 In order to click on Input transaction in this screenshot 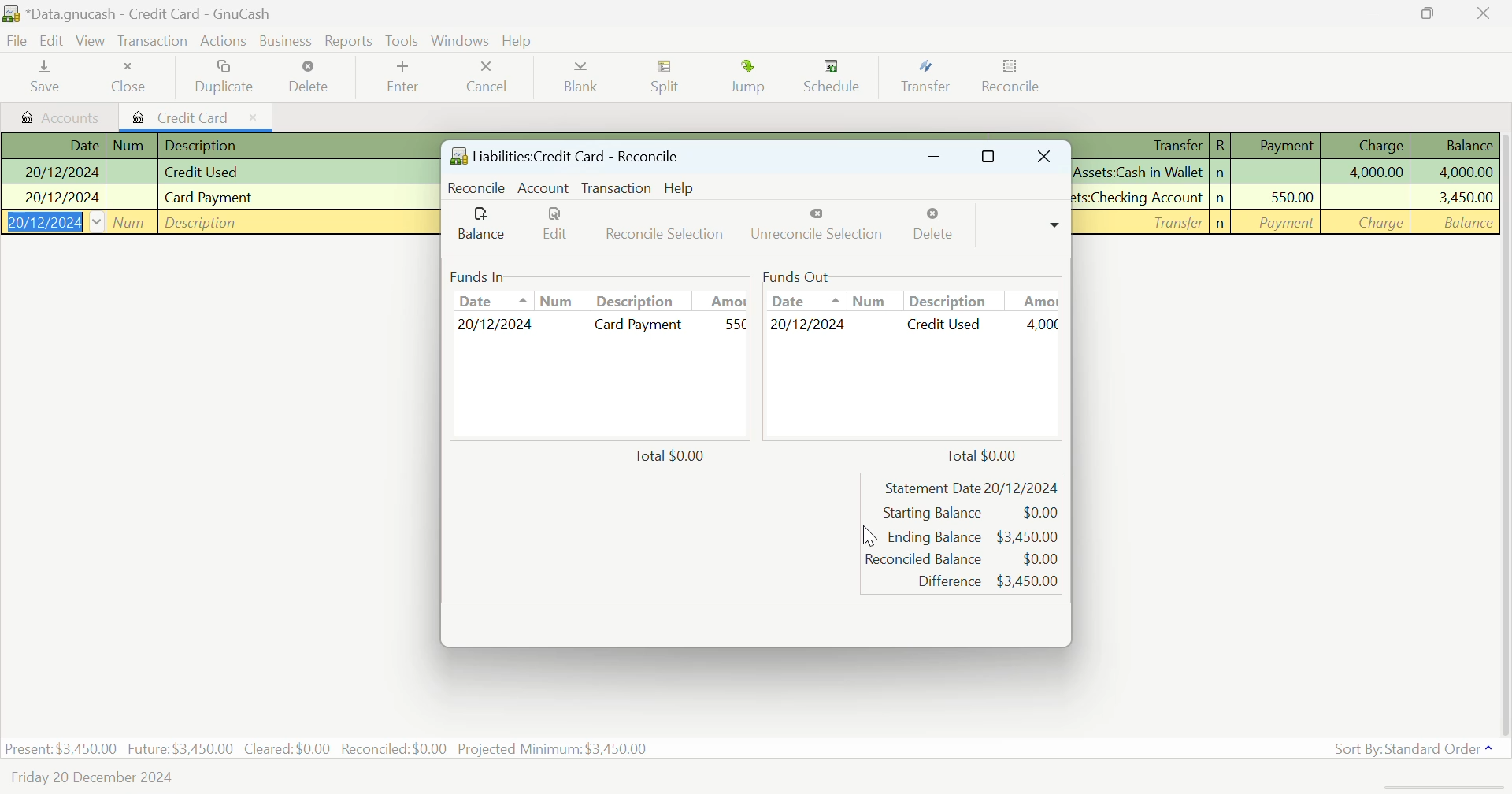, I will do `click(1286, 222)`.